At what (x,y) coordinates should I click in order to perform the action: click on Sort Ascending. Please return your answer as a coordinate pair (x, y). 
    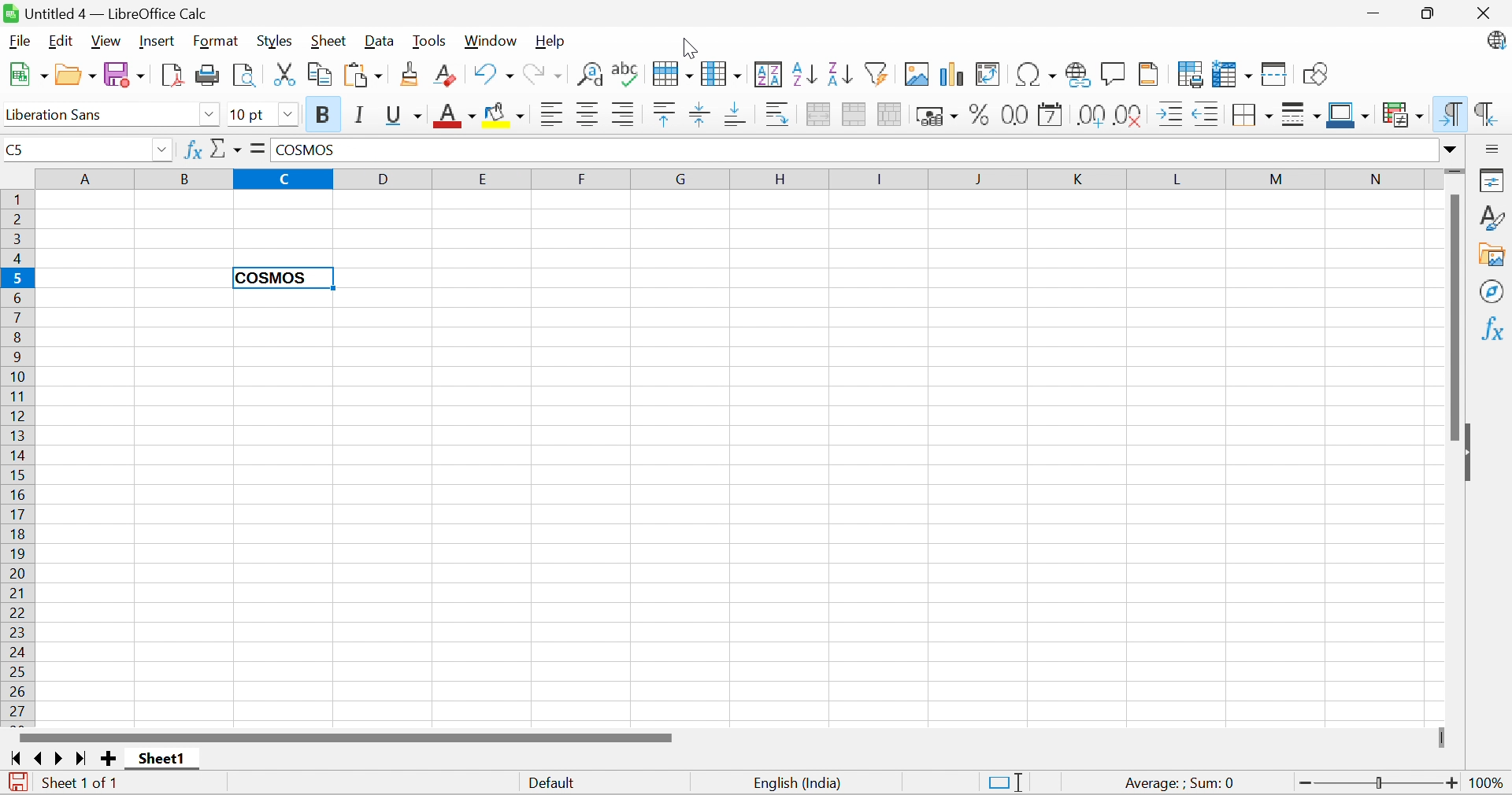
    Looking at the image, I should click on (802, 75).